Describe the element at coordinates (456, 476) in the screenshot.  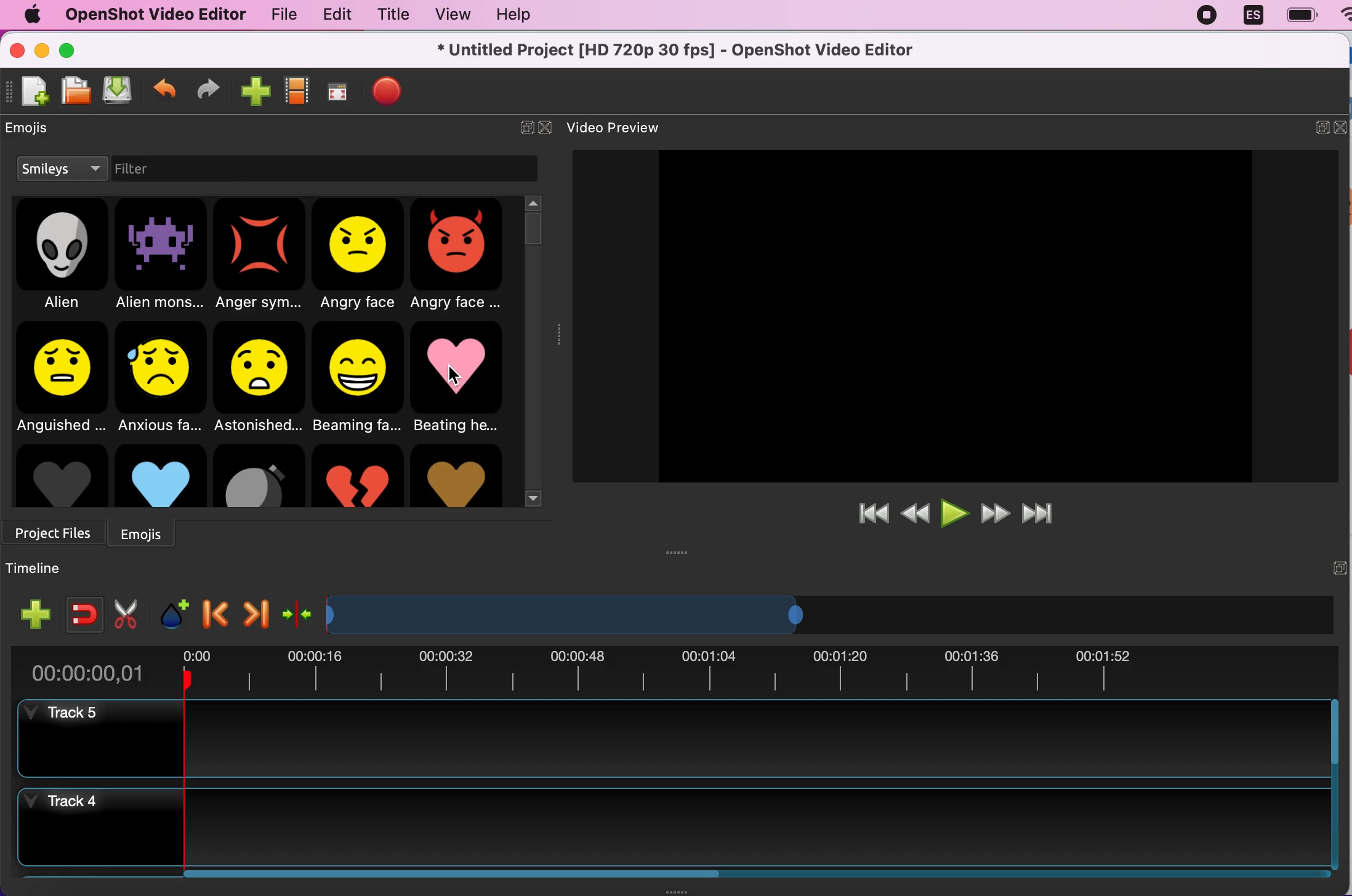
I see `heart` at that location.